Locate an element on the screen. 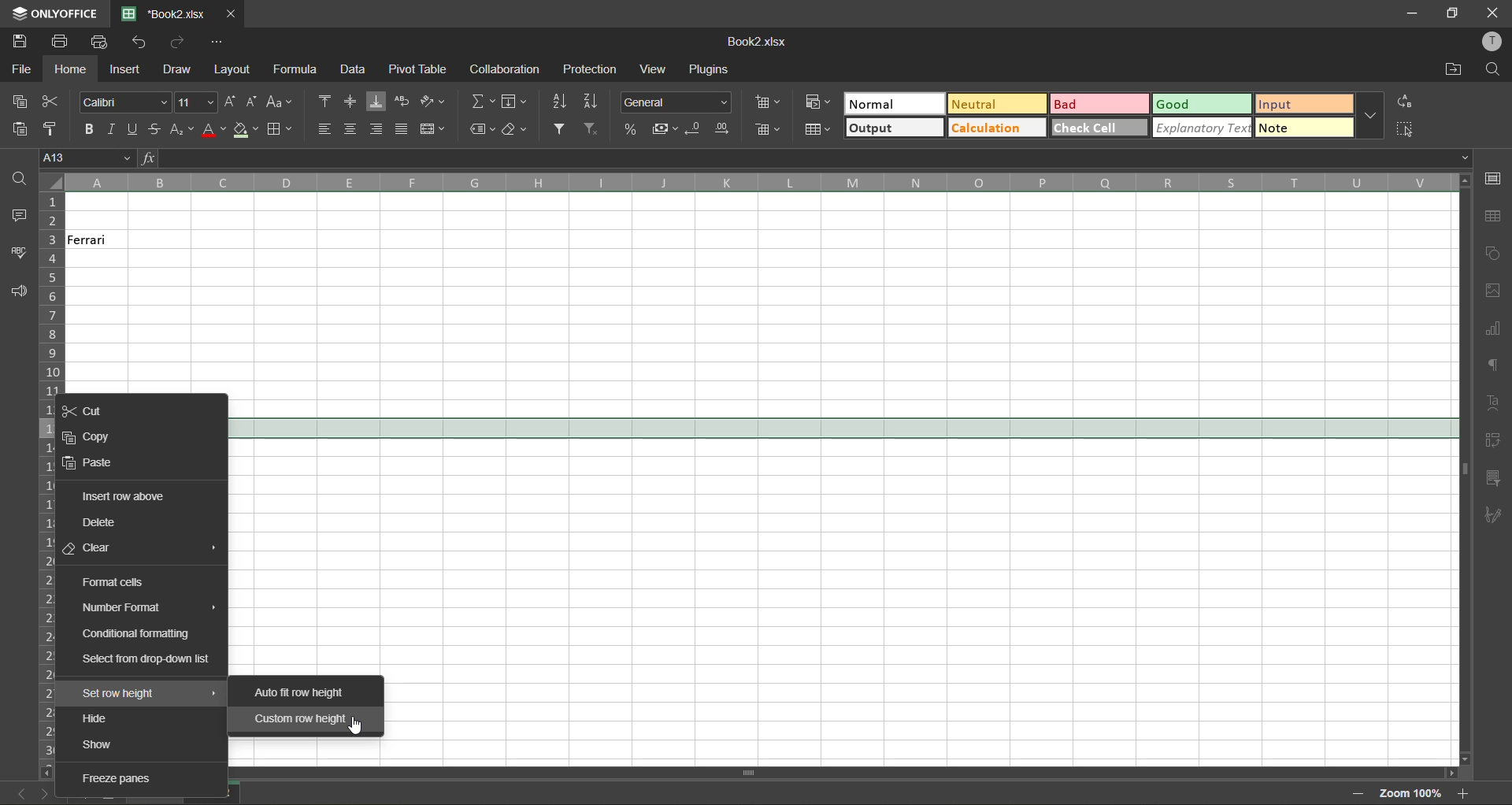 Image resolution: width=1512 pixels, height=805 pixels. cell settings is located at coordinates (1494, 177).